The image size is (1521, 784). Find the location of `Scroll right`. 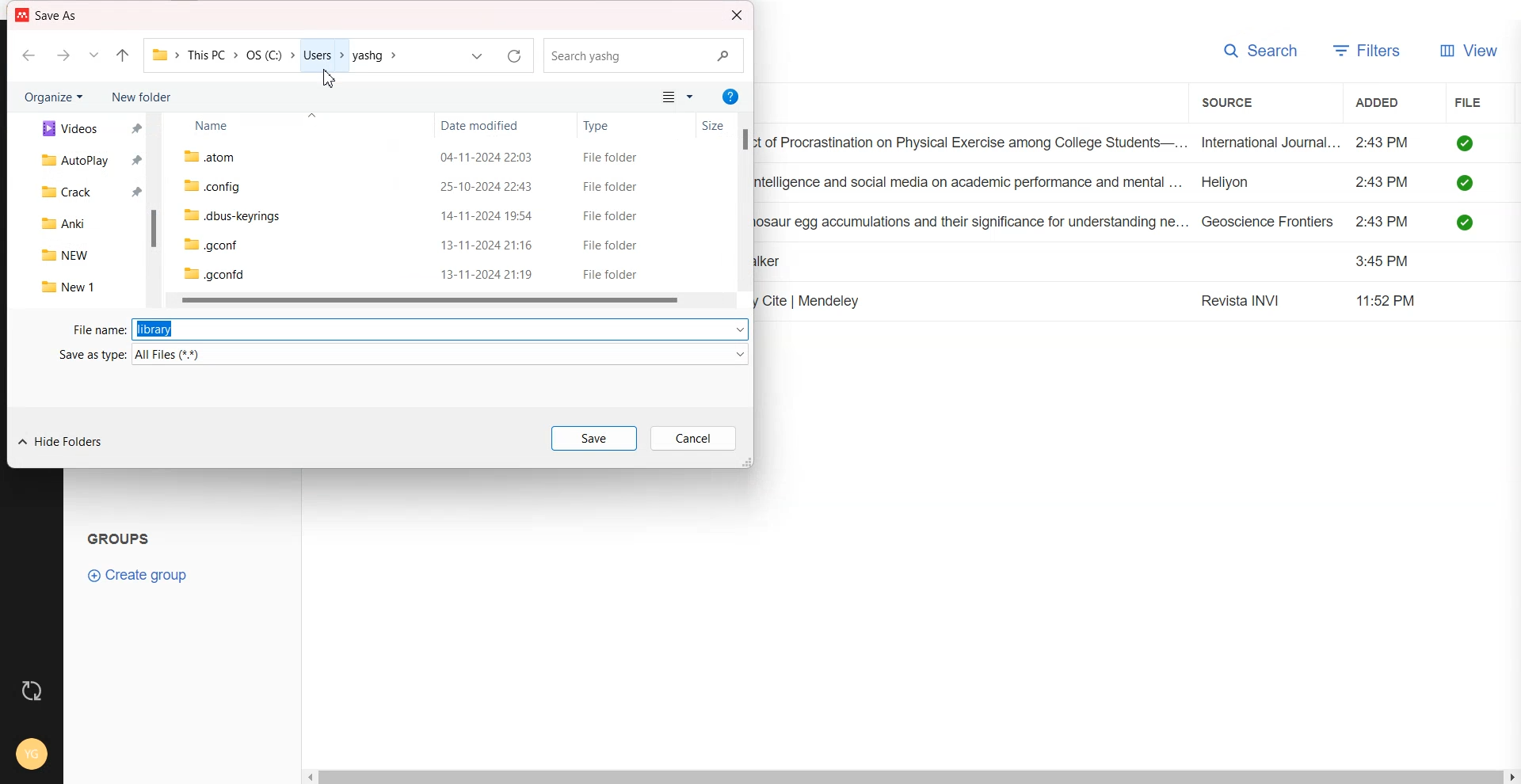

Scroll right is located at coordinates (1511, 776).